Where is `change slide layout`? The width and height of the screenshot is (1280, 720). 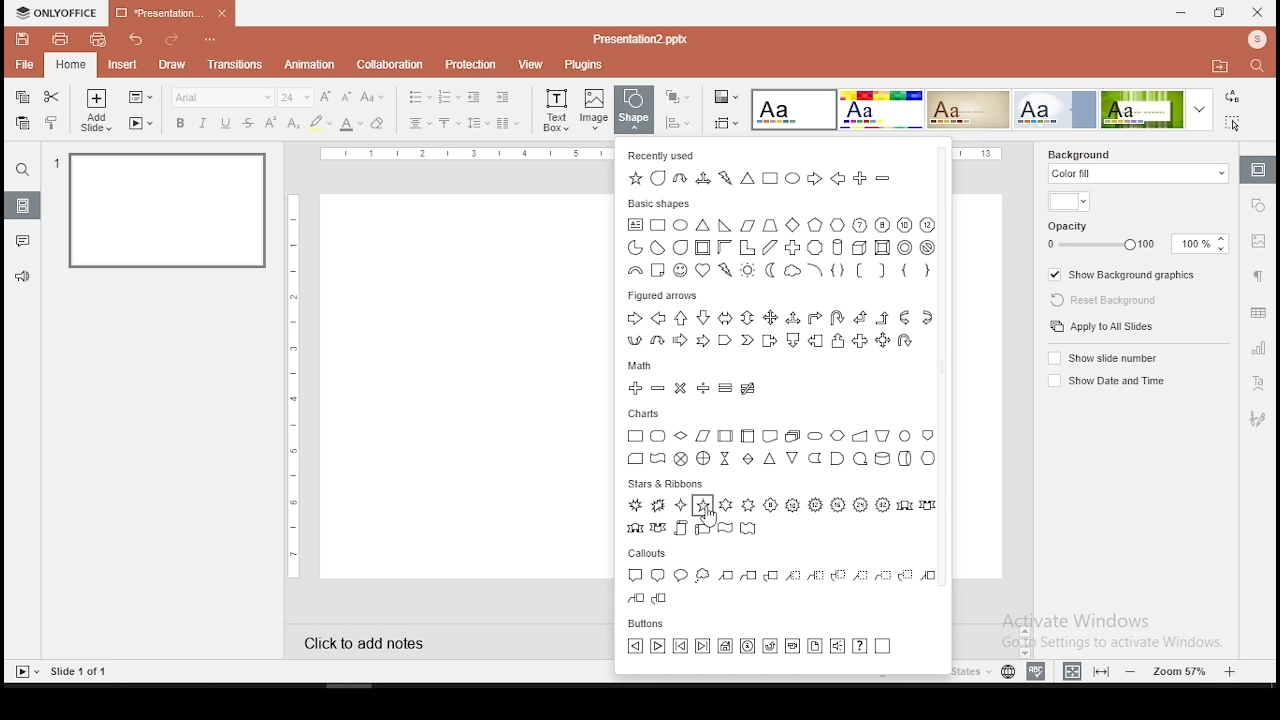
change slide layout is located at coordinates (139, 98).